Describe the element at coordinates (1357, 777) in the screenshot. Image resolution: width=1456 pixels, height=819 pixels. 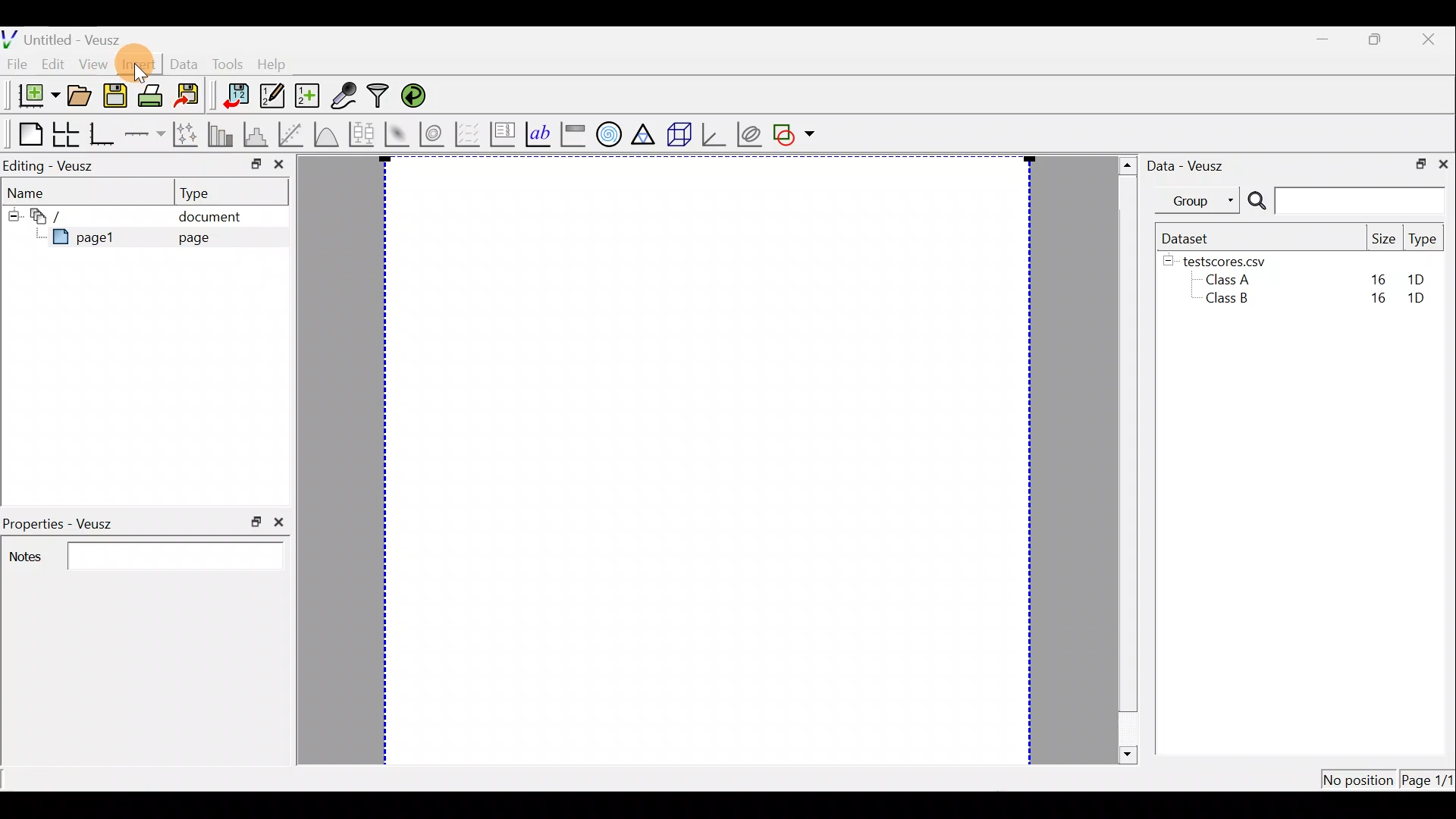
I see `No position` at that location.